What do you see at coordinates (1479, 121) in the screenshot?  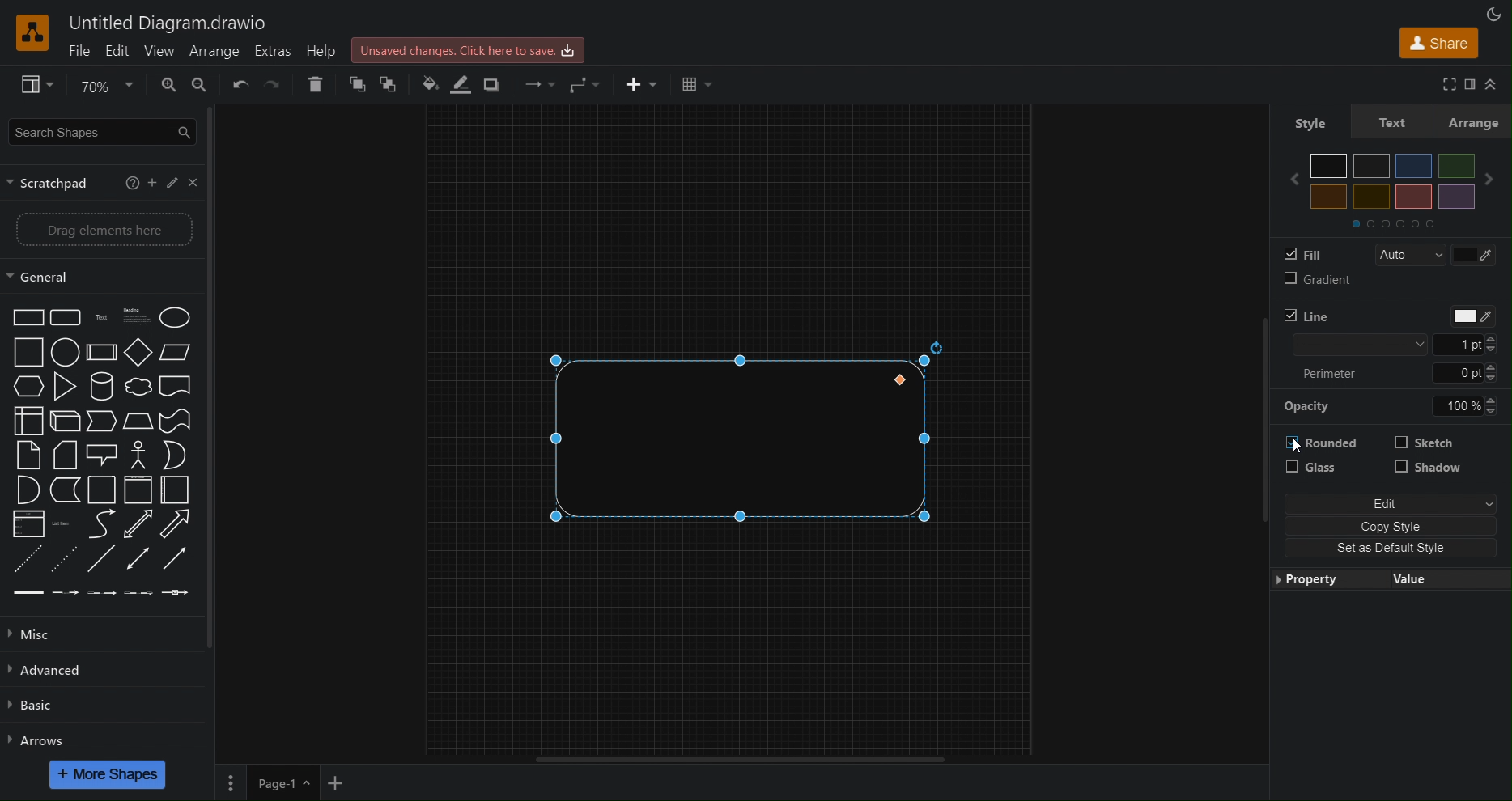 I see `Arrange` at bounding box center [1479, 121].